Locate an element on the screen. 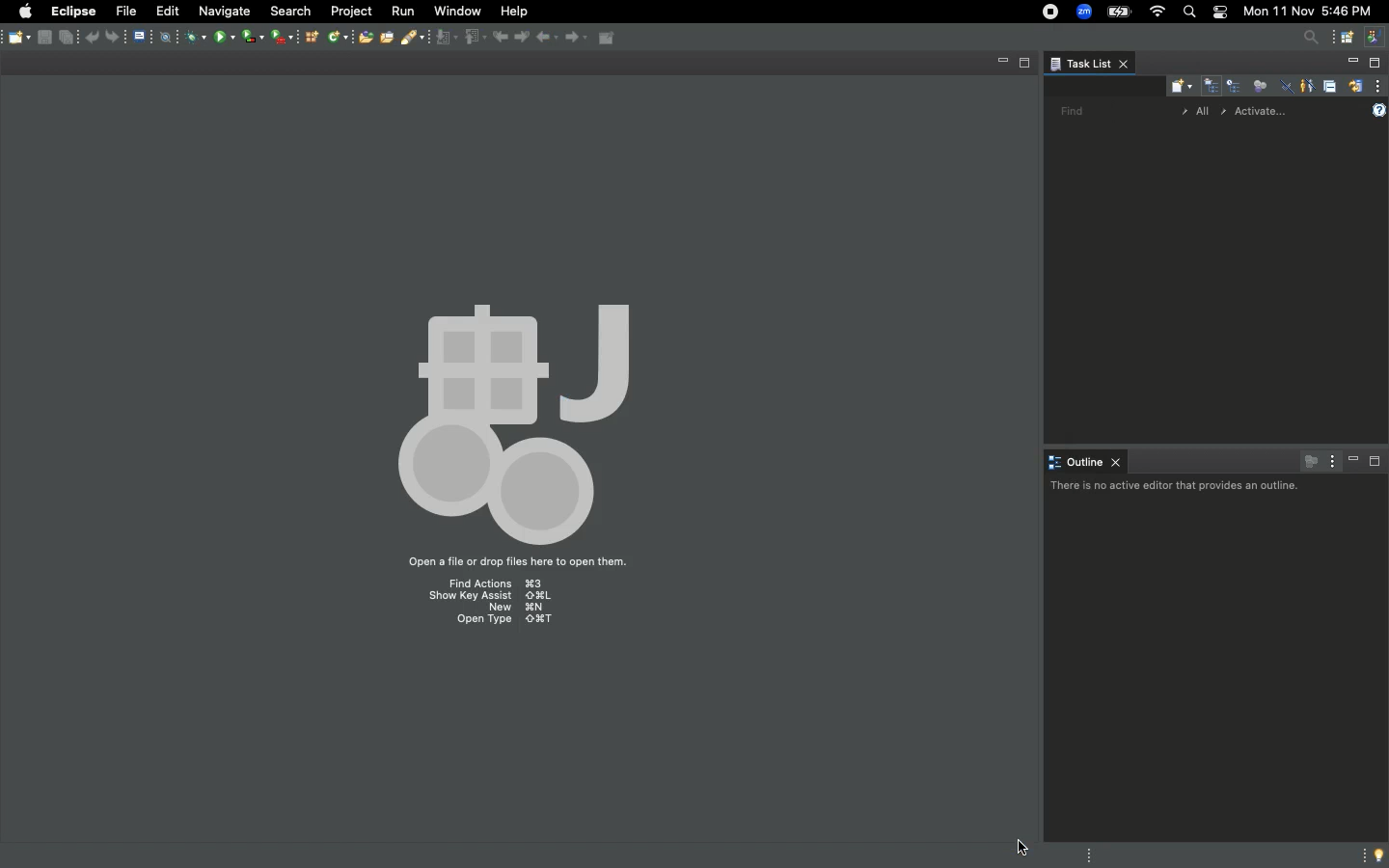 The width and height of the screenshot is (1389, 868). Icon is located at coordinates (513, 414).